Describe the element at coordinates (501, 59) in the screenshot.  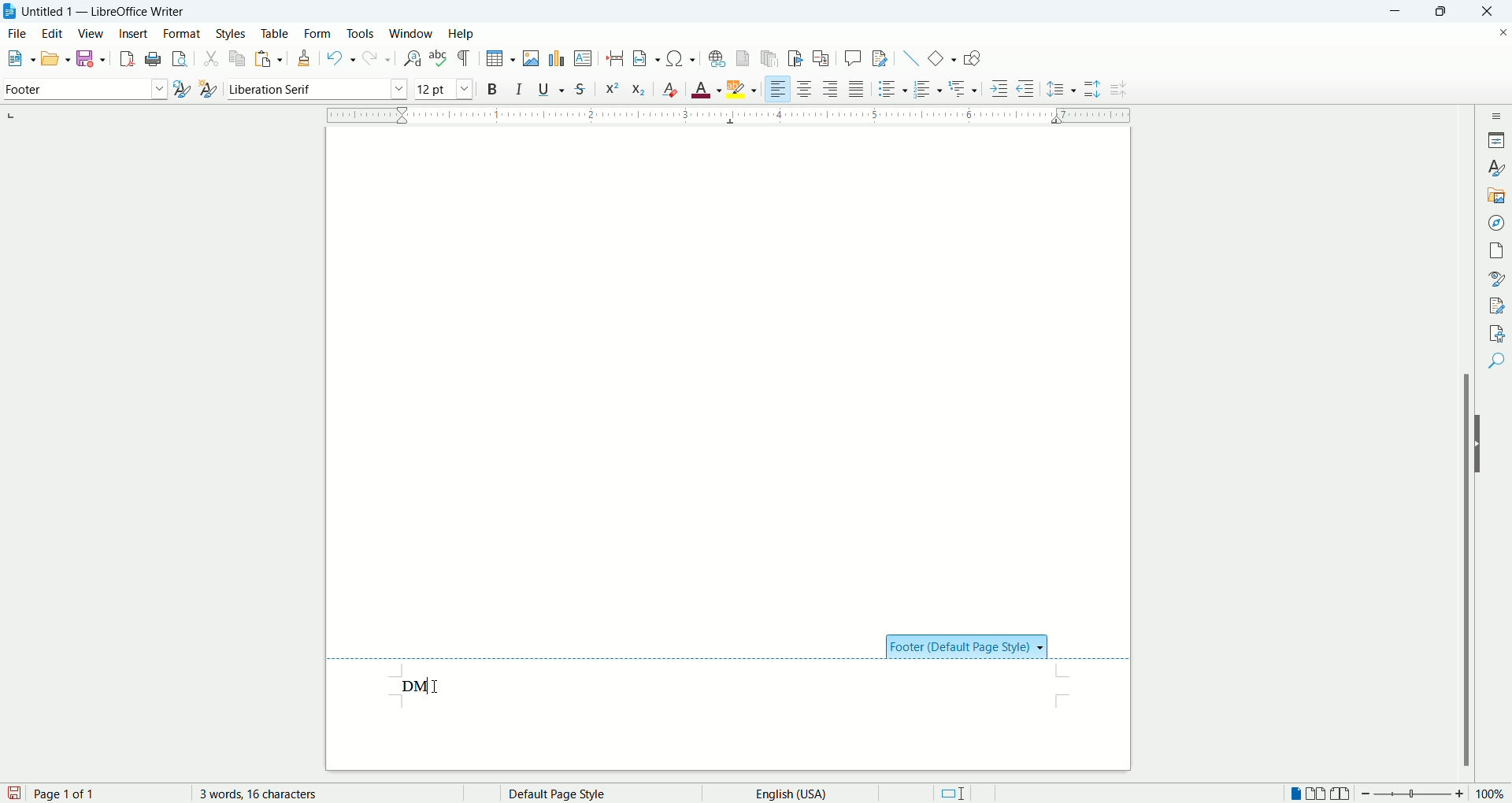
I see `insert table` at that location.